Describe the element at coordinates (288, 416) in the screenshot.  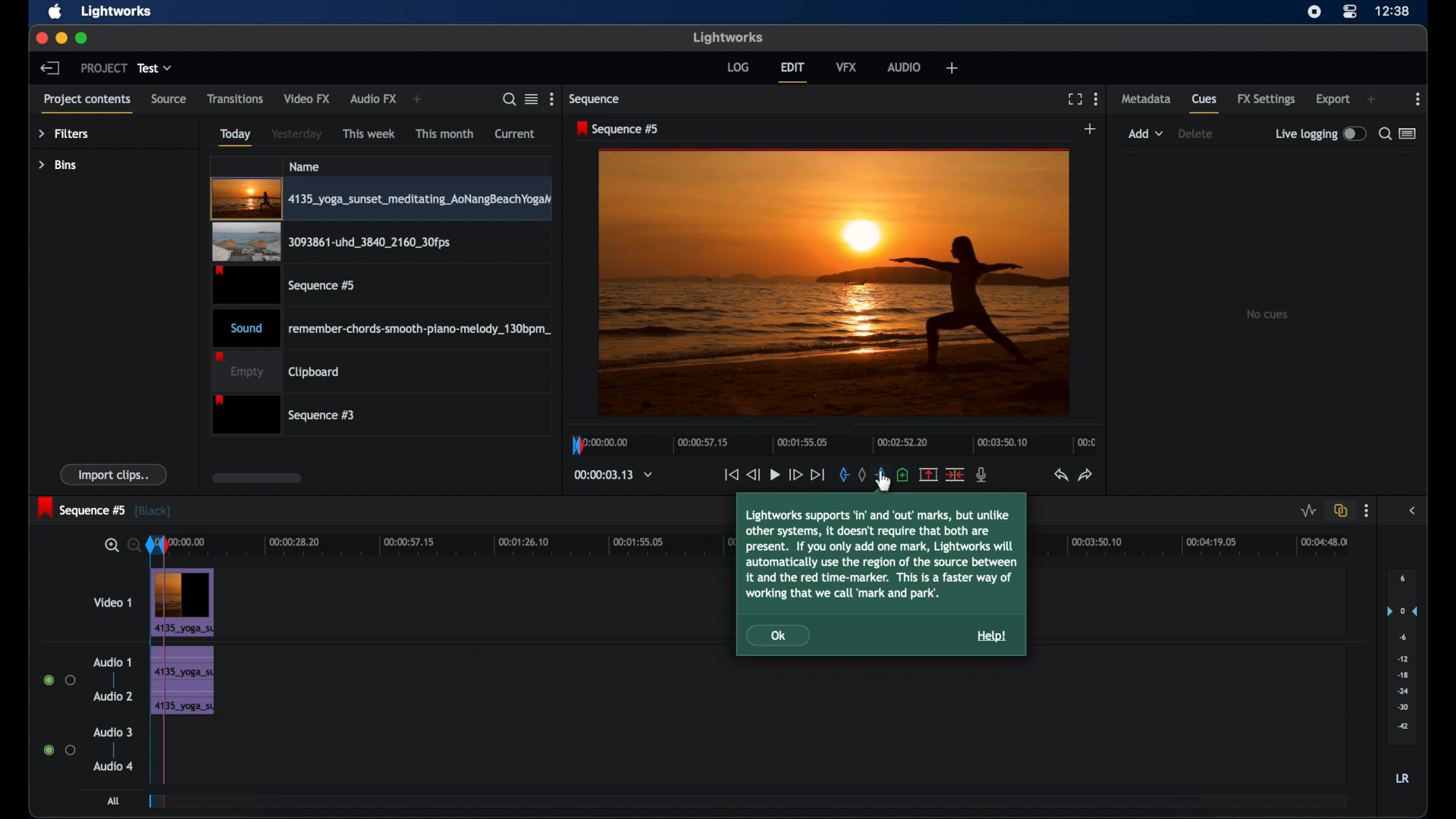
I see `sequence 3` at that location.